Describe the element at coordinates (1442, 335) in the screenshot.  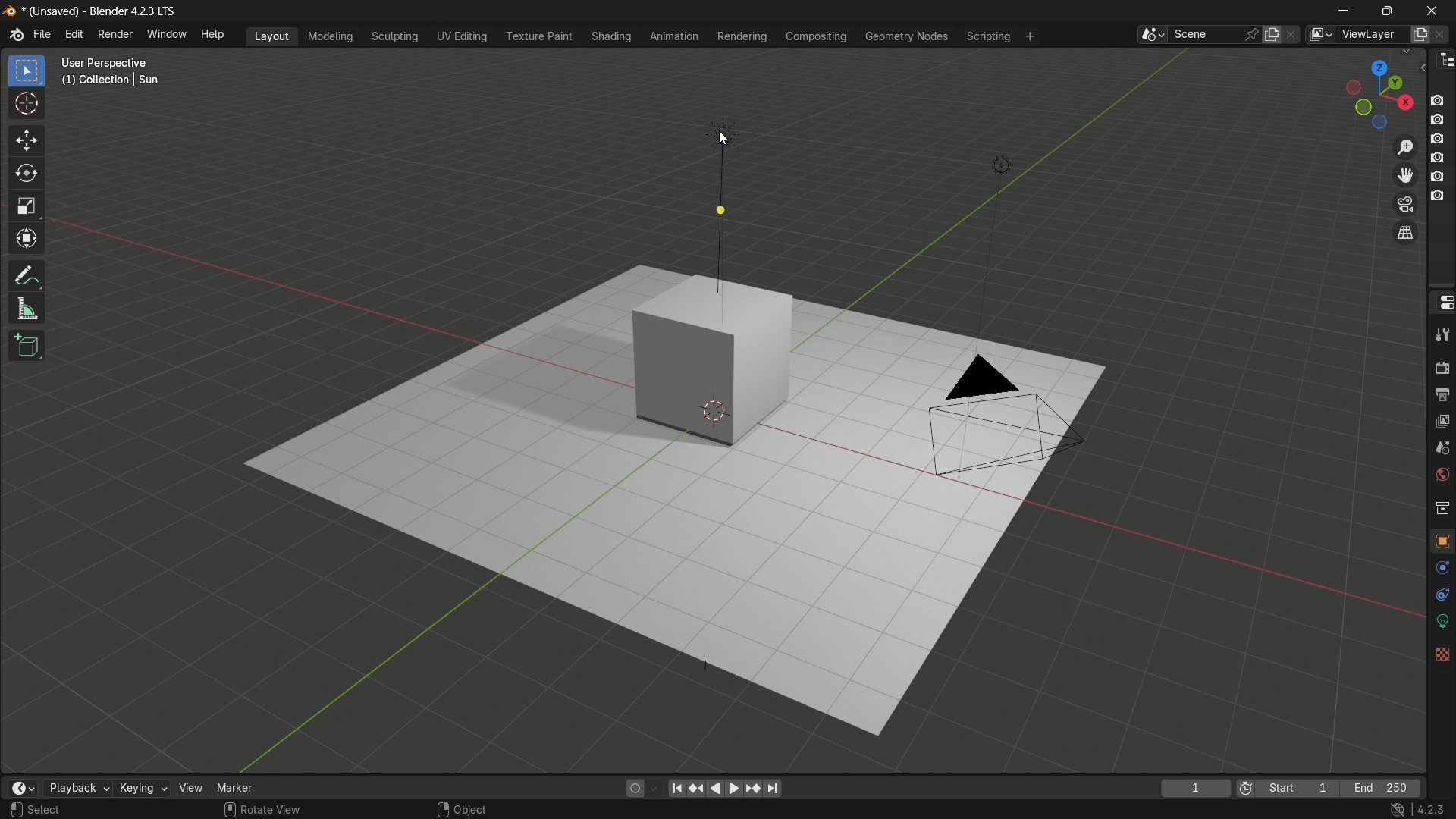
I see `tools` at that location.